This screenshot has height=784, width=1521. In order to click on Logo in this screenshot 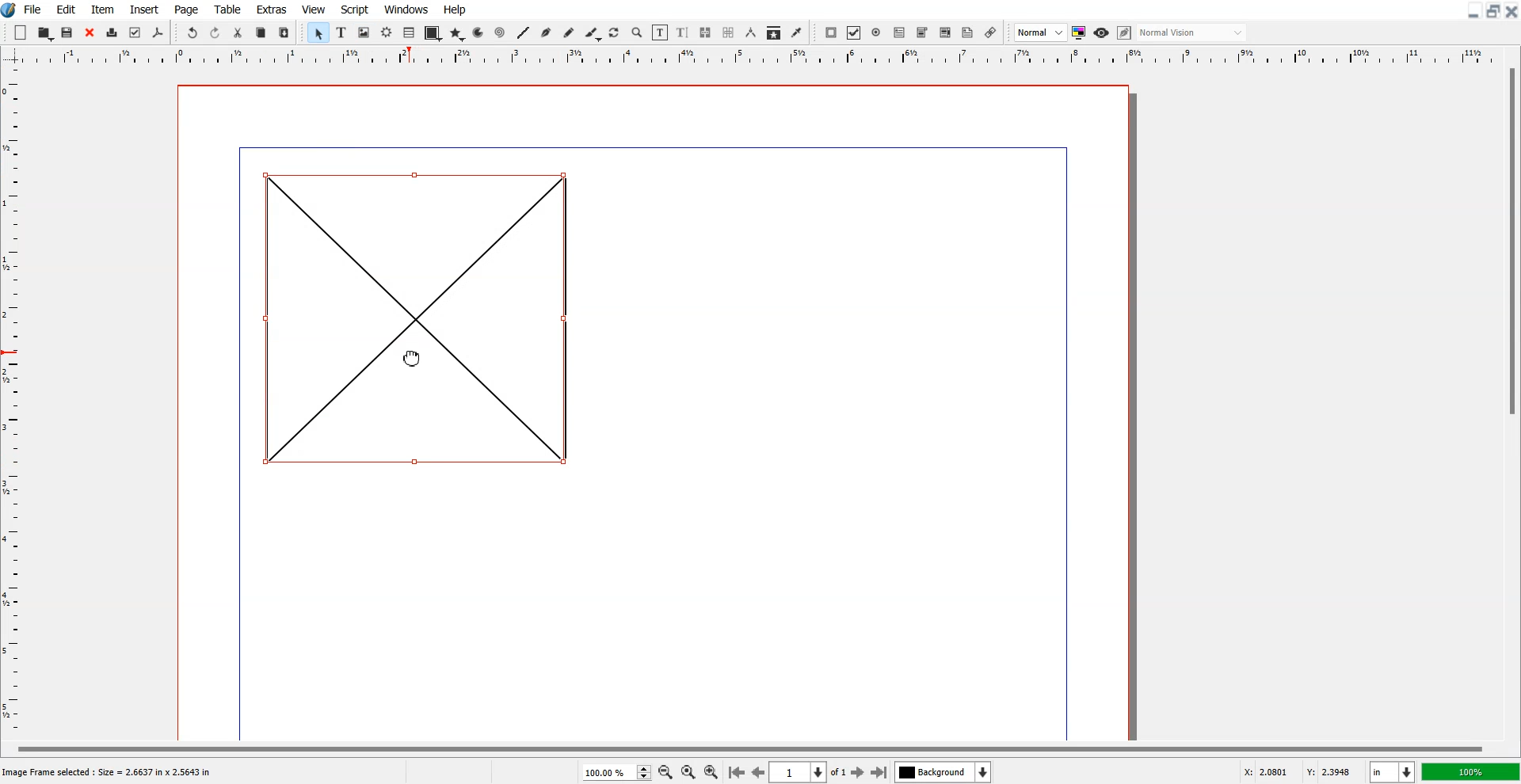, I will do `click(10, 10)`.